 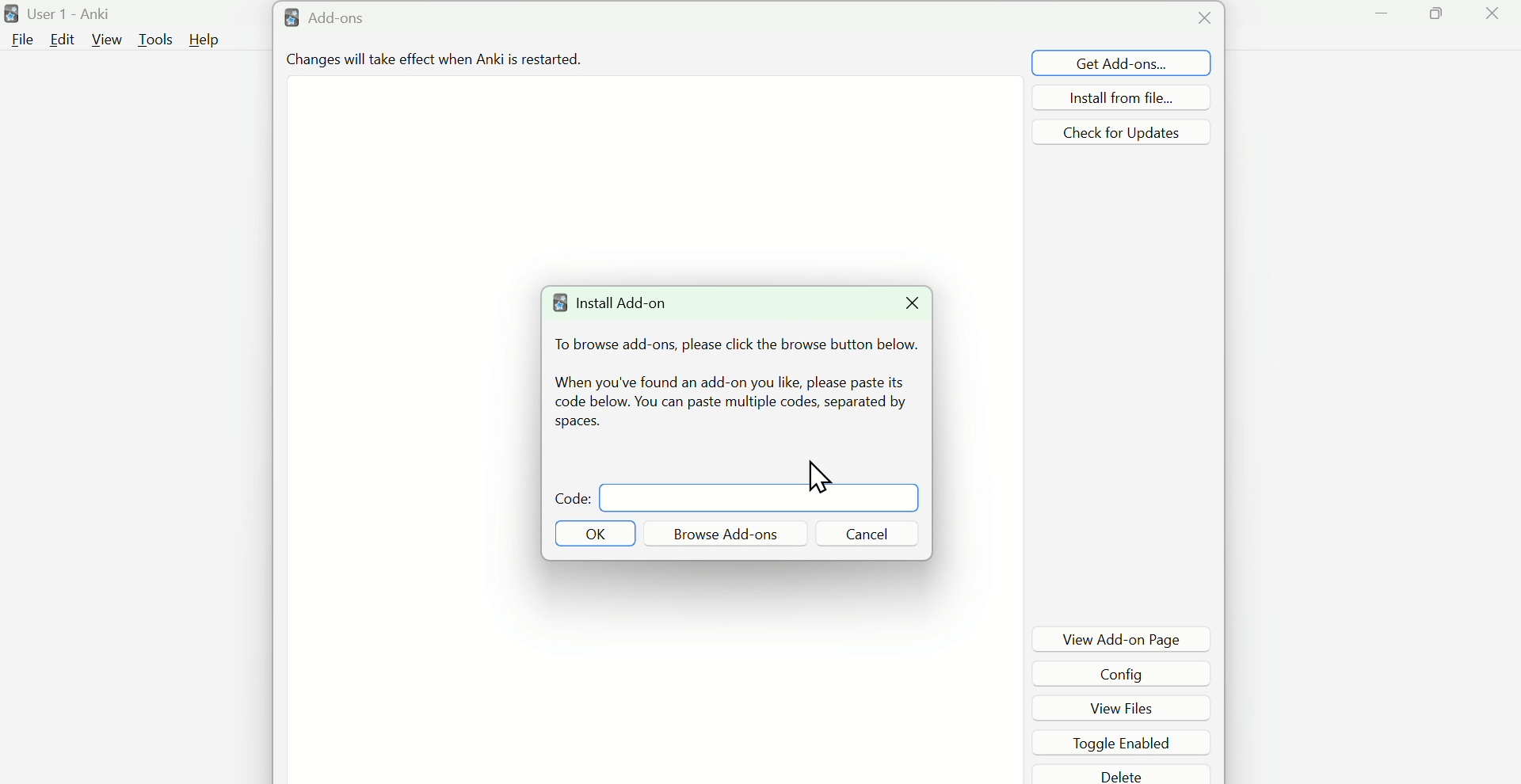 I want to click on , so click(x=595, y=533).